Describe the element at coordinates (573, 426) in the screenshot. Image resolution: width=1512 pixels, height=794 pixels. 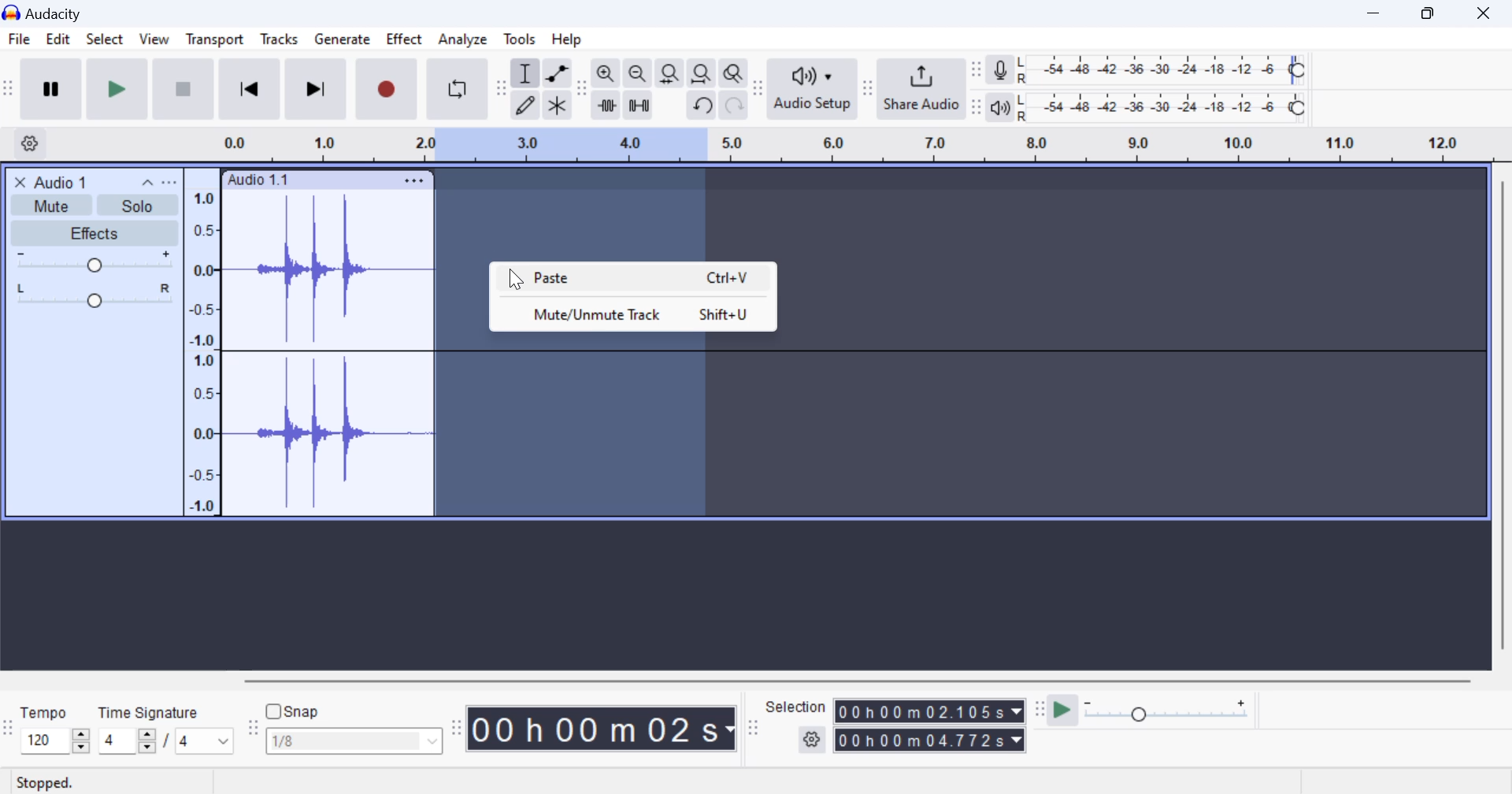
I see `Area Selected` at that location.